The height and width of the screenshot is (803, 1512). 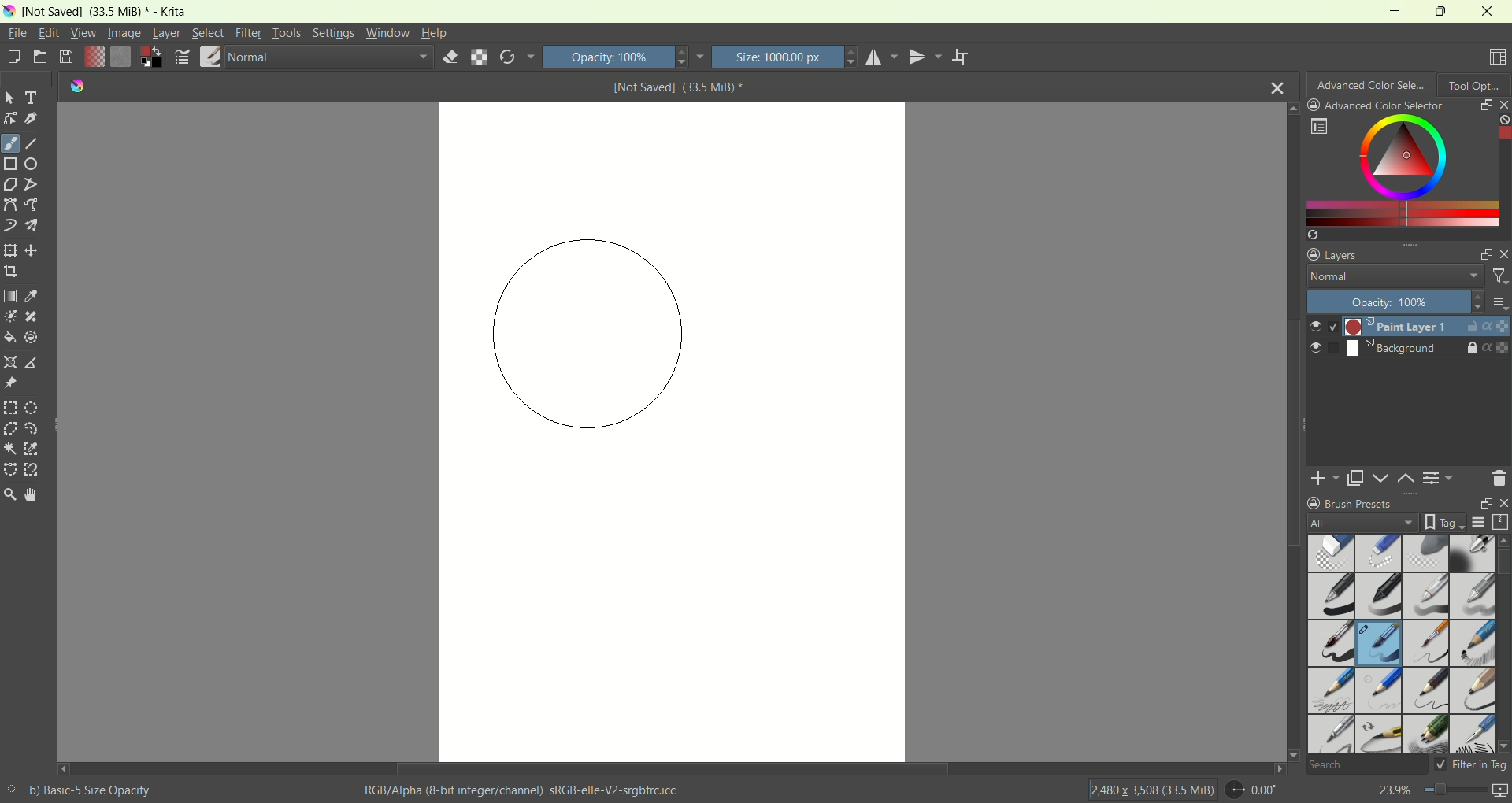 What do you see at coordinates (1278, 86) in the screenshot?
I see `close` at bounding box center [1278, 86].